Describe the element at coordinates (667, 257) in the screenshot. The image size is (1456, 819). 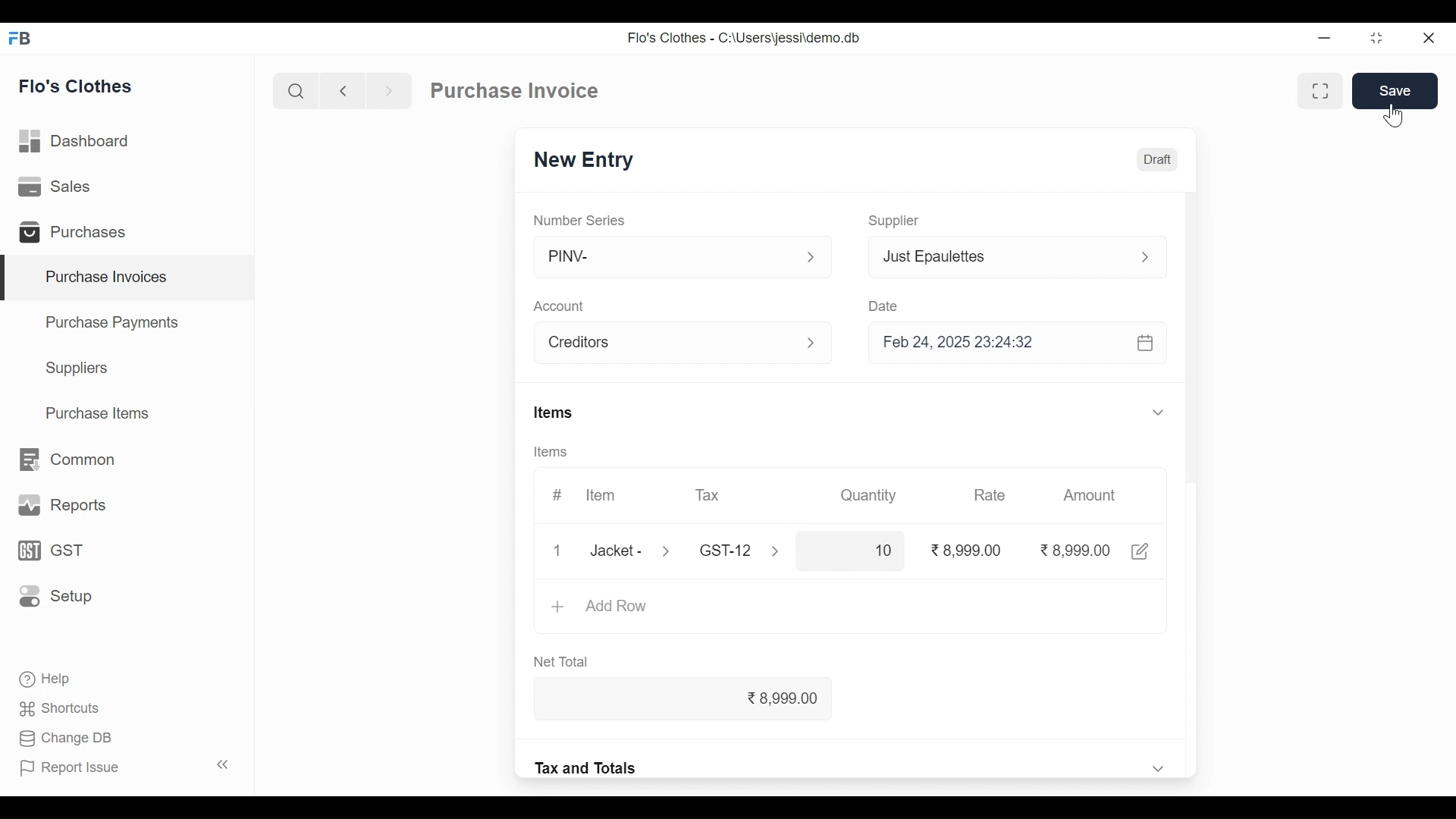
I see `PINV-` at that location.